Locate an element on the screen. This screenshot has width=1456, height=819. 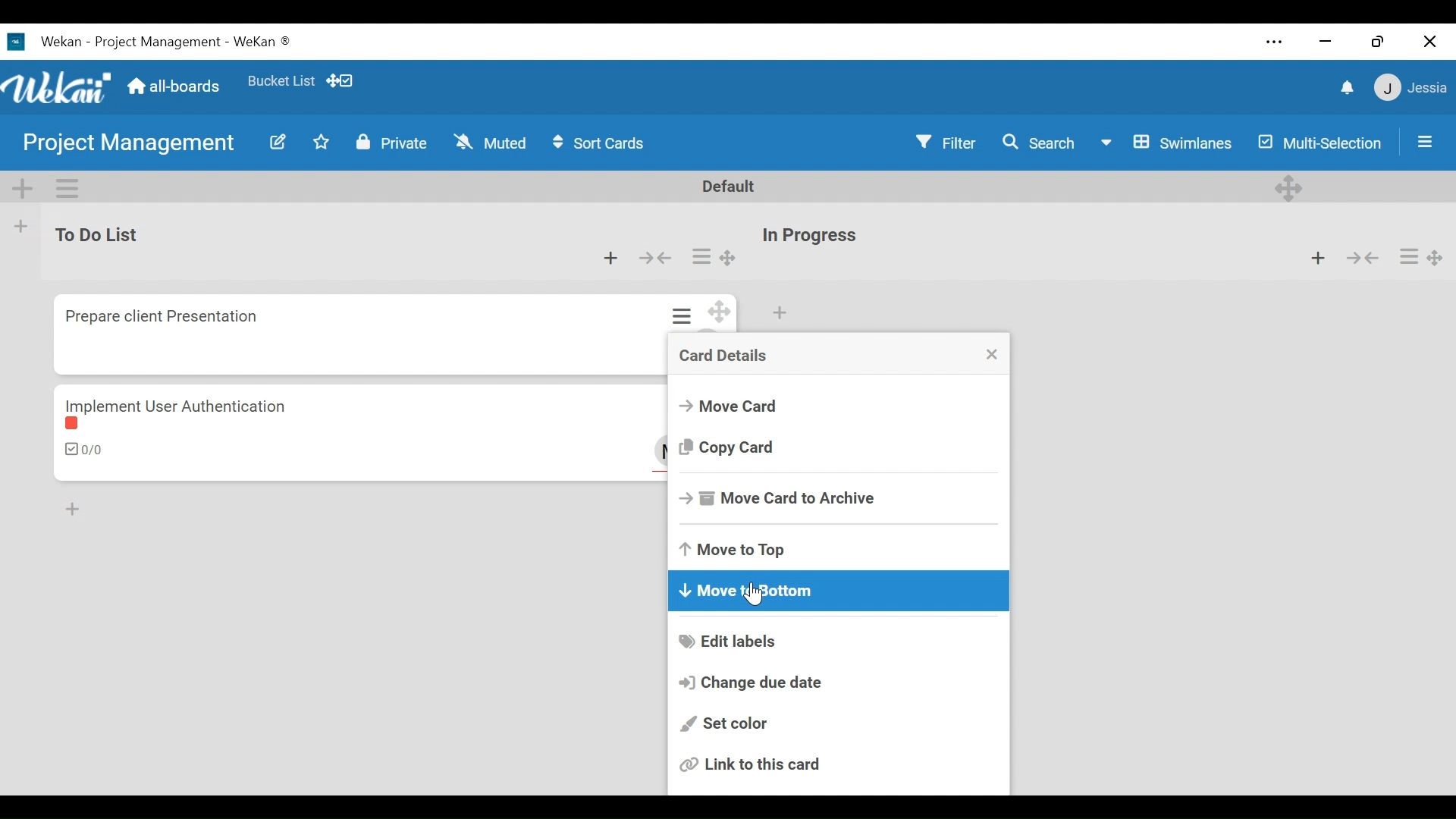
Move Card to Archive is located at coordinates (780, 498).